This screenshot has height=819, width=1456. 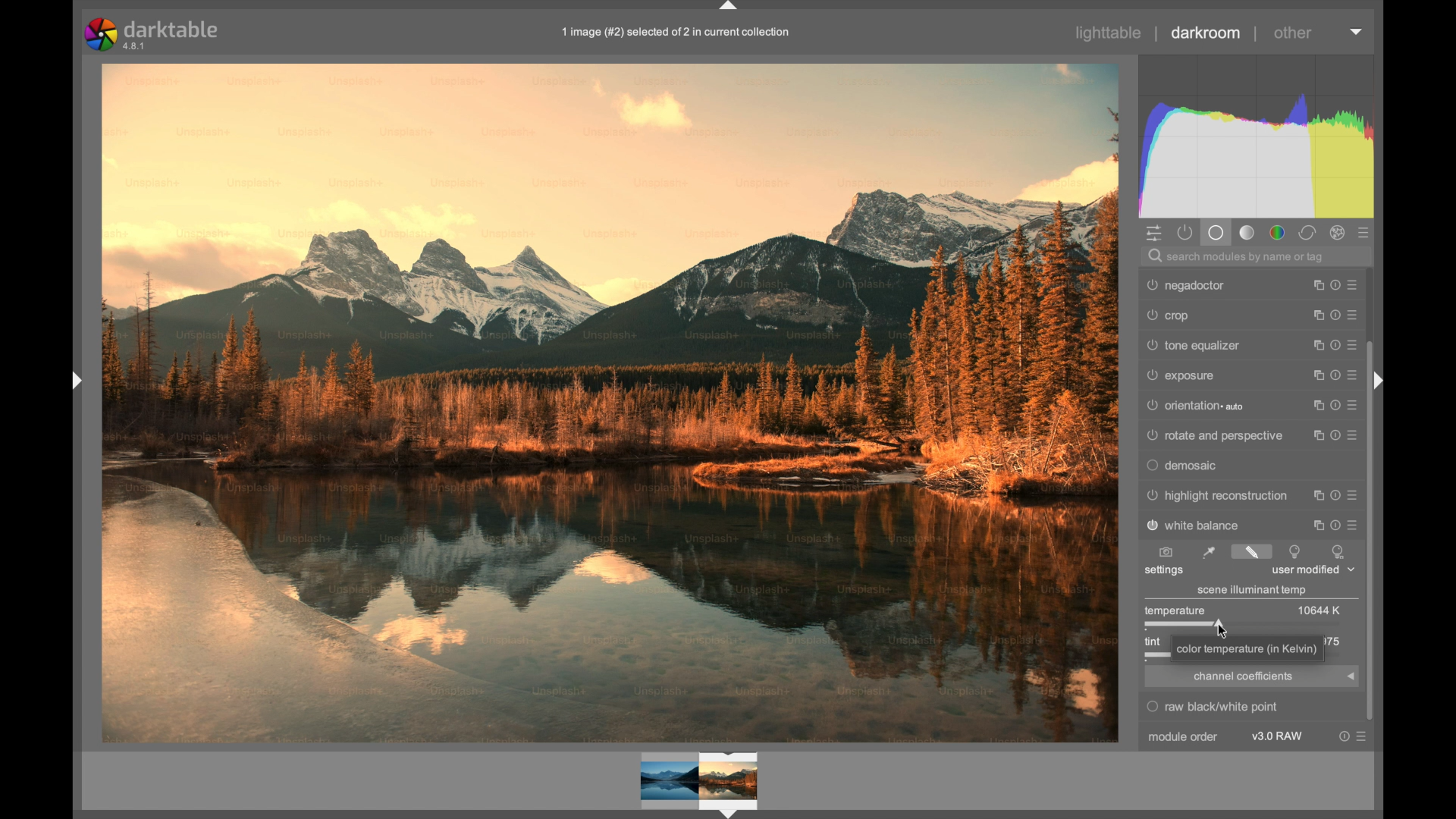 What do you see at coordinates (1166, 551) in the screenshot?
I see `set white balance` at bounding box center [1166, 551].